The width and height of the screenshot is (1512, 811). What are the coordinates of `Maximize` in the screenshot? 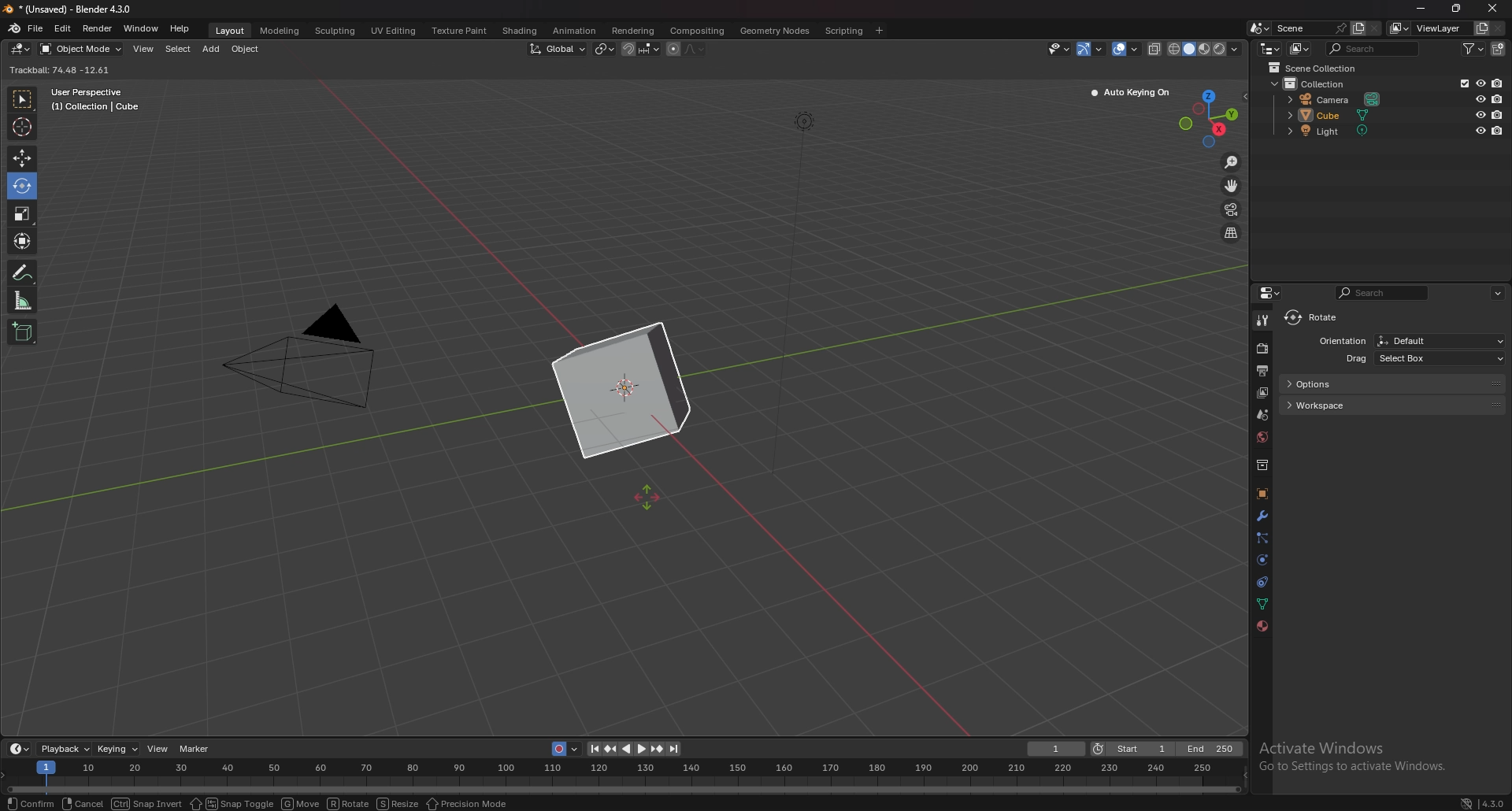 It's located at (1458, 9).